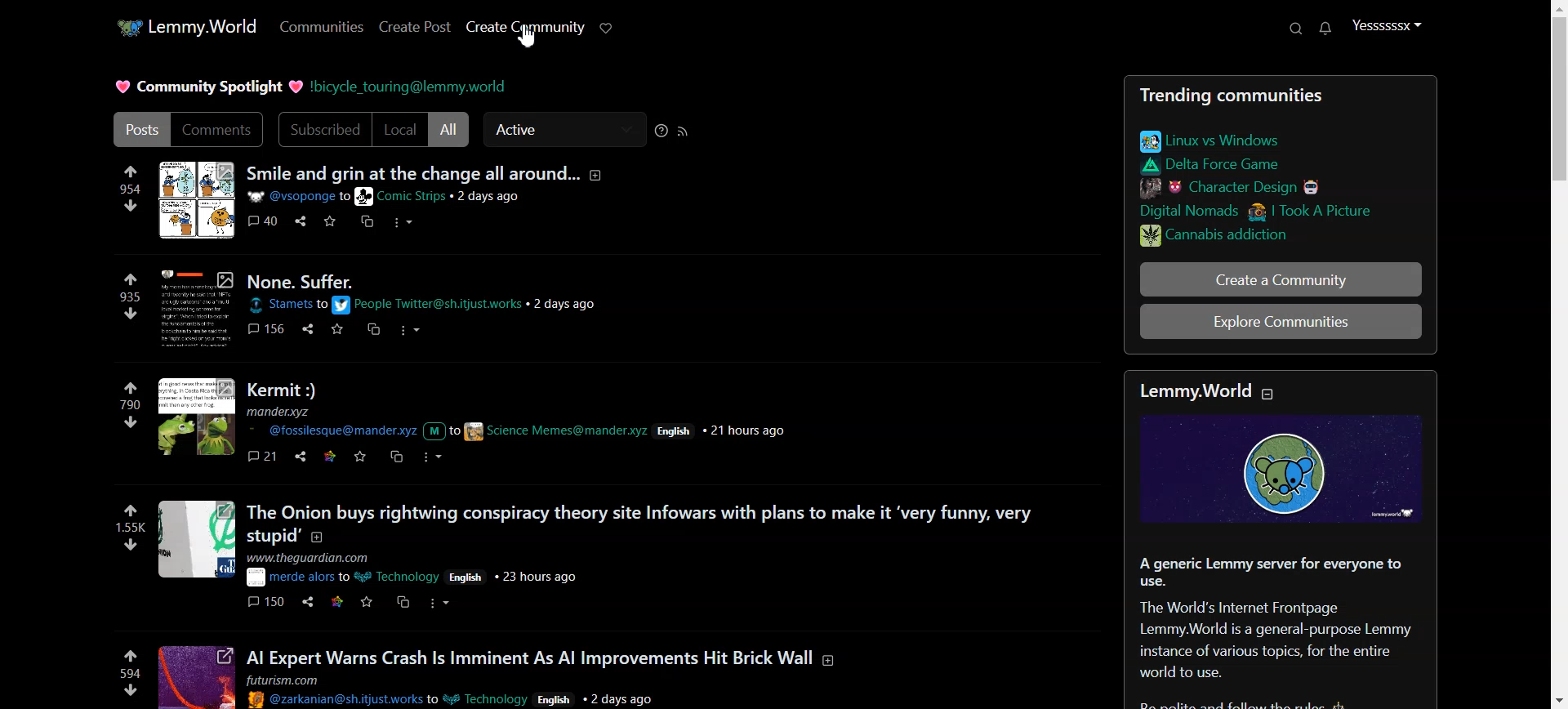 The height and width of the screenshot is (709, 1568). I want to click on All, so click(452, 129).